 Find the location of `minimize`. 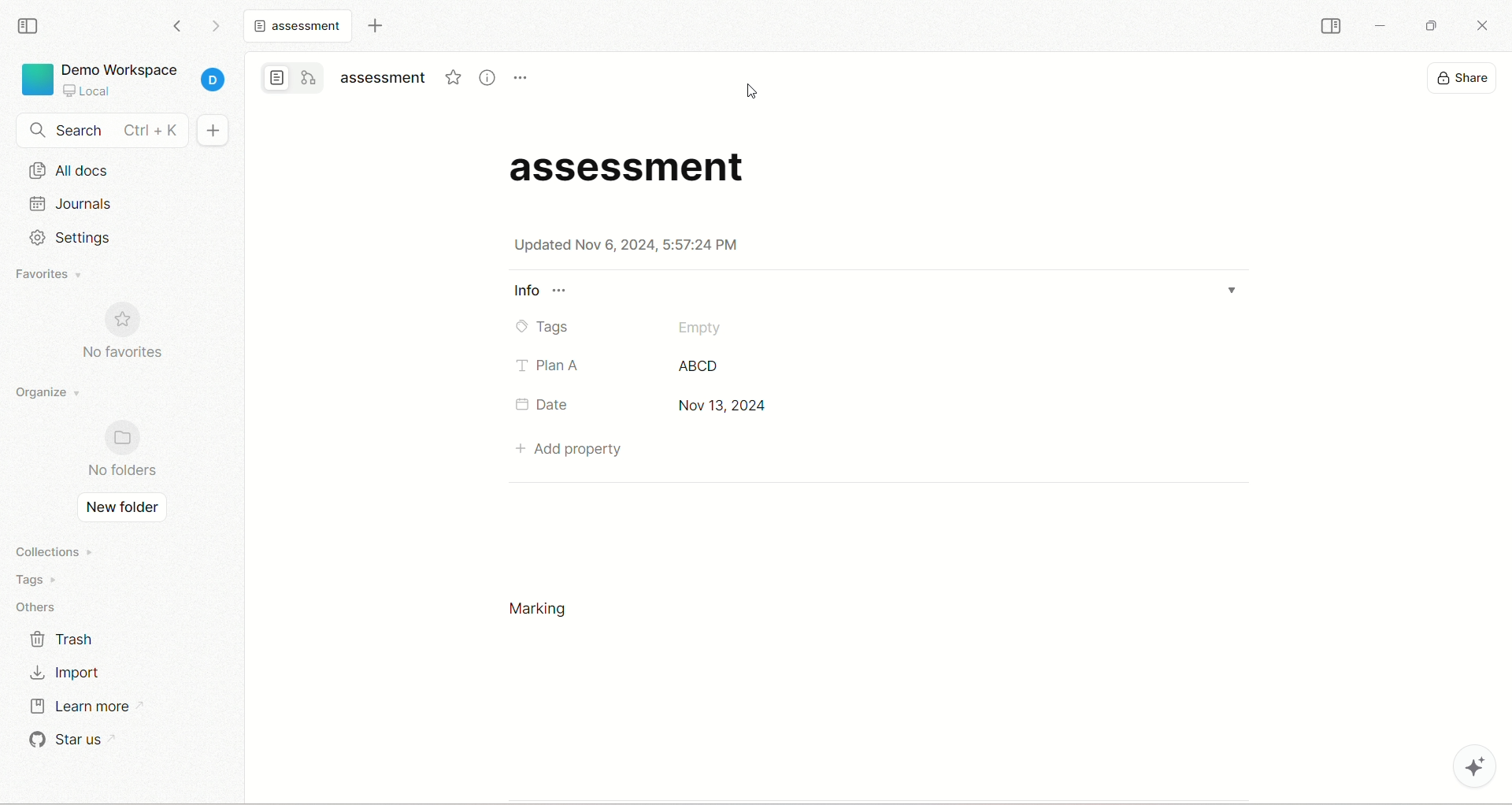

minimize is located at coordinates (1383, 24).